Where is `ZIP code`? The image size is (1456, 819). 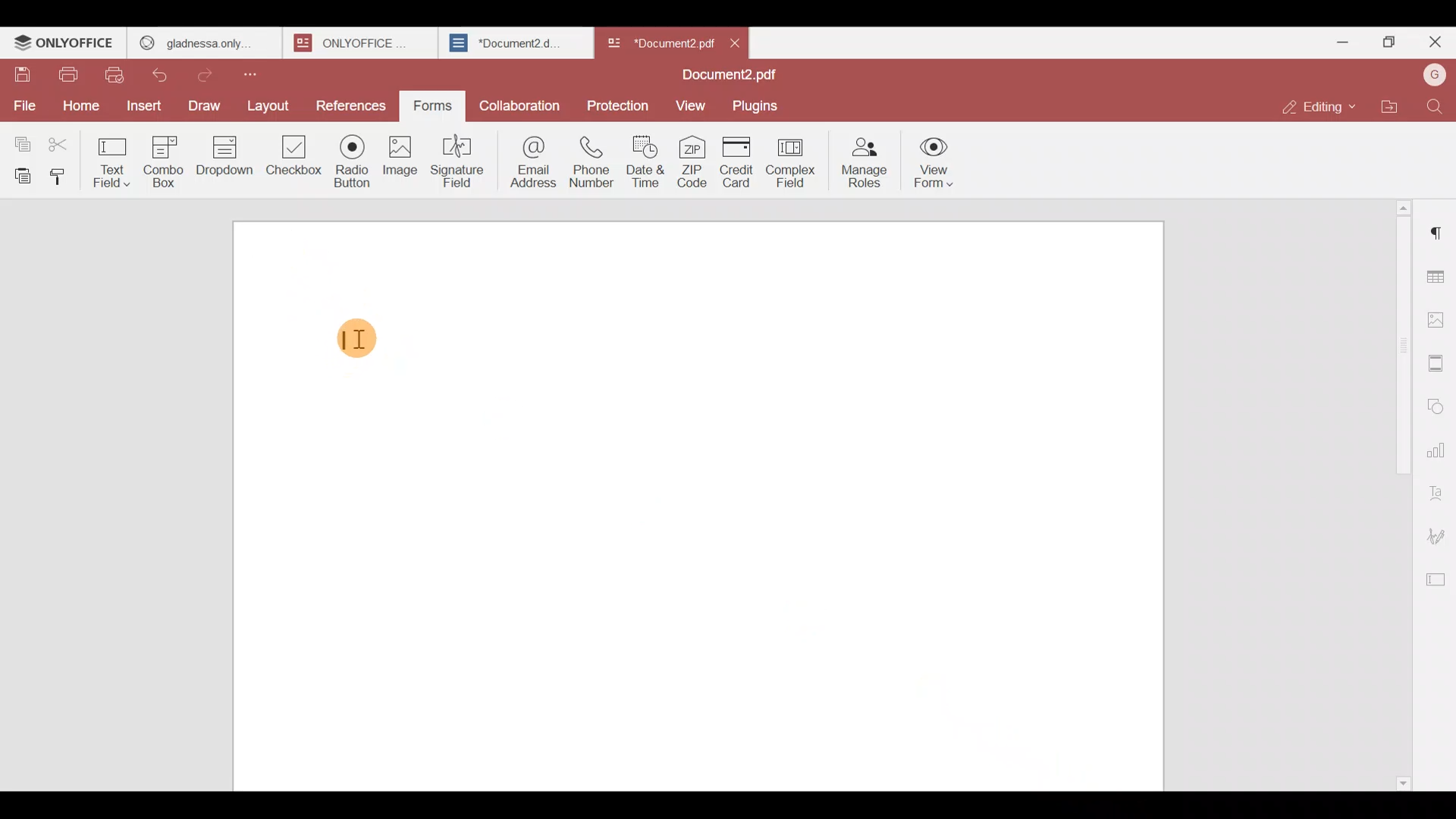
ZIP code is located at coordinates (695, 160).